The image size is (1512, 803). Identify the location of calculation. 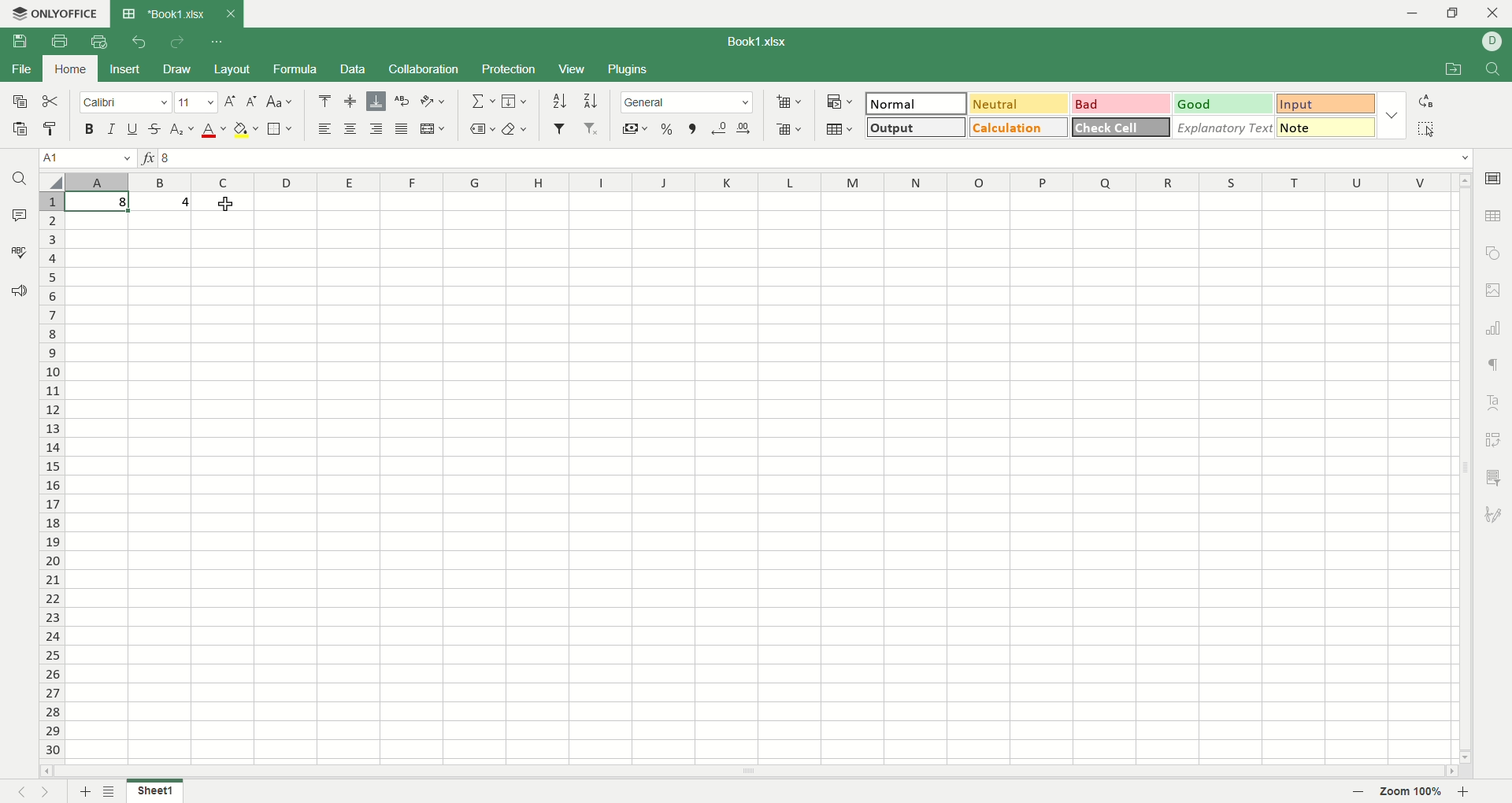
(1017, 127).